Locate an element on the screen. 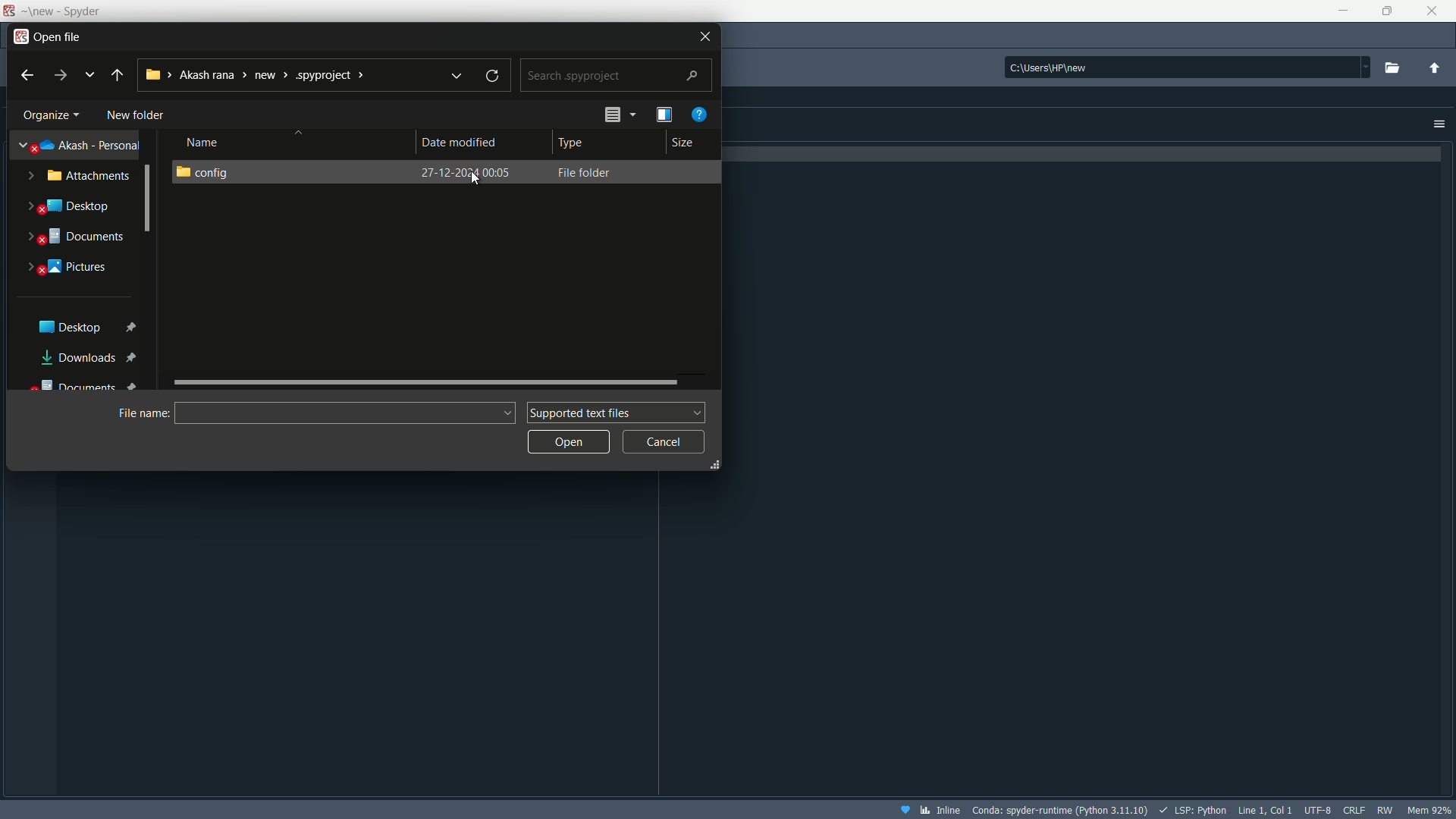  supported text file is located at coordinates (614, 411).